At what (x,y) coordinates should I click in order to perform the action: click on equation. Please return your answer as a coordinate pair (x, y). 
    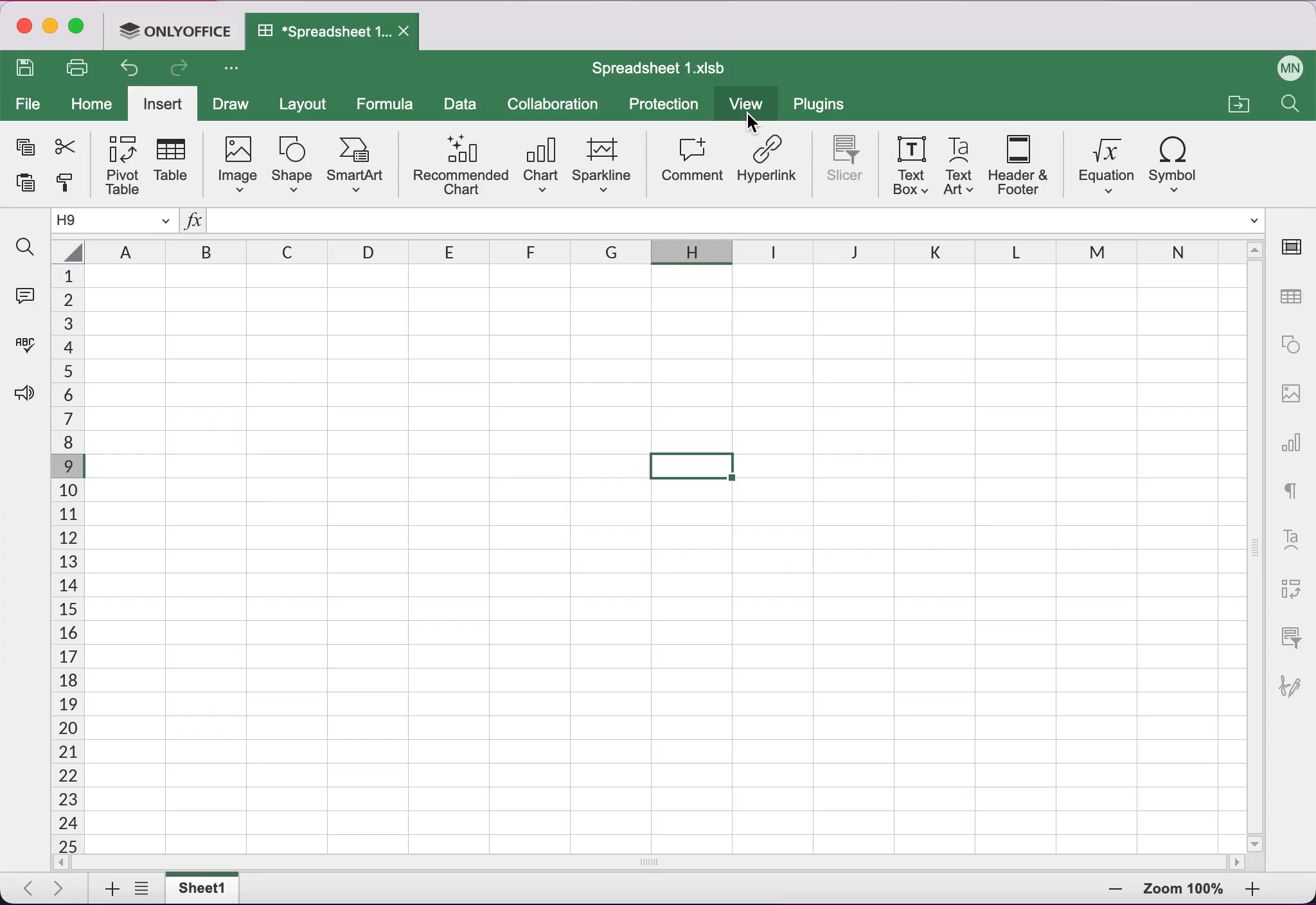
    Looking at the image, I should click on (1102, 168).